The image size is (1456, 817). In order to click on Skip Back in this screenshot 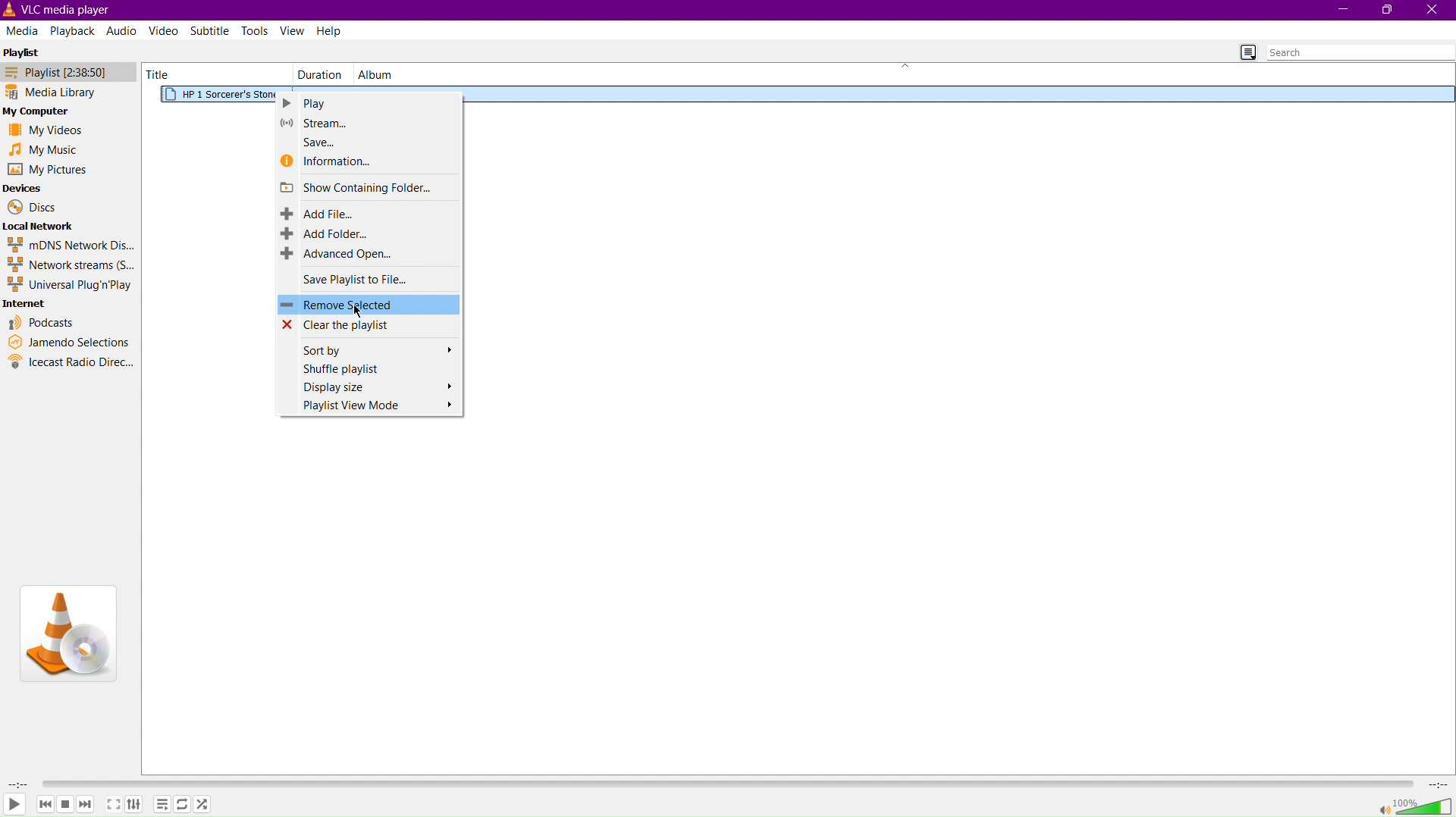, I will do `click(44, 803)`.